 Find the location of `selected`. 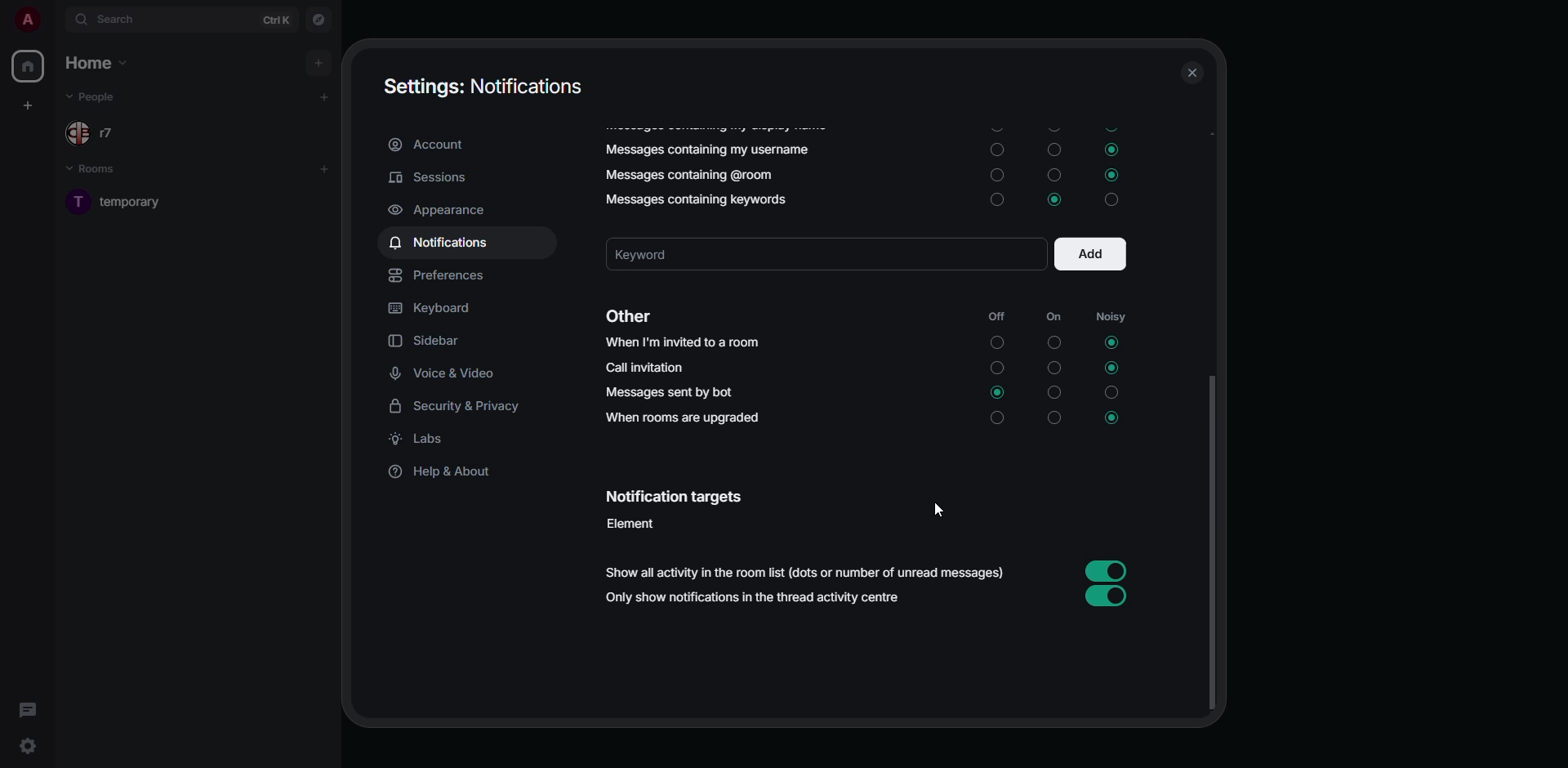

selected is located at coordinates (1110, 419).